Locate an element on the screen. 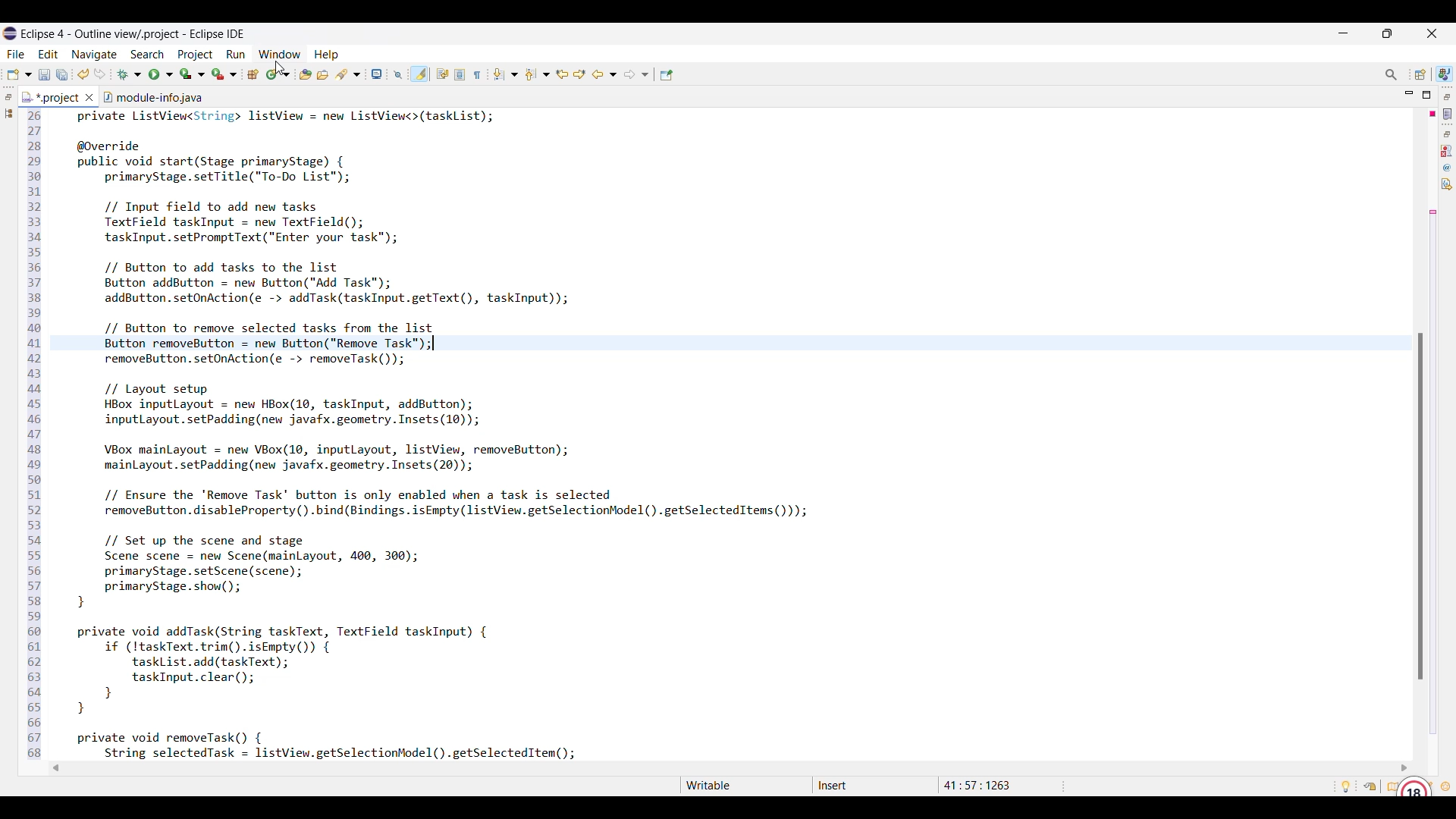  Project menu is located at coordinates (196, 55).